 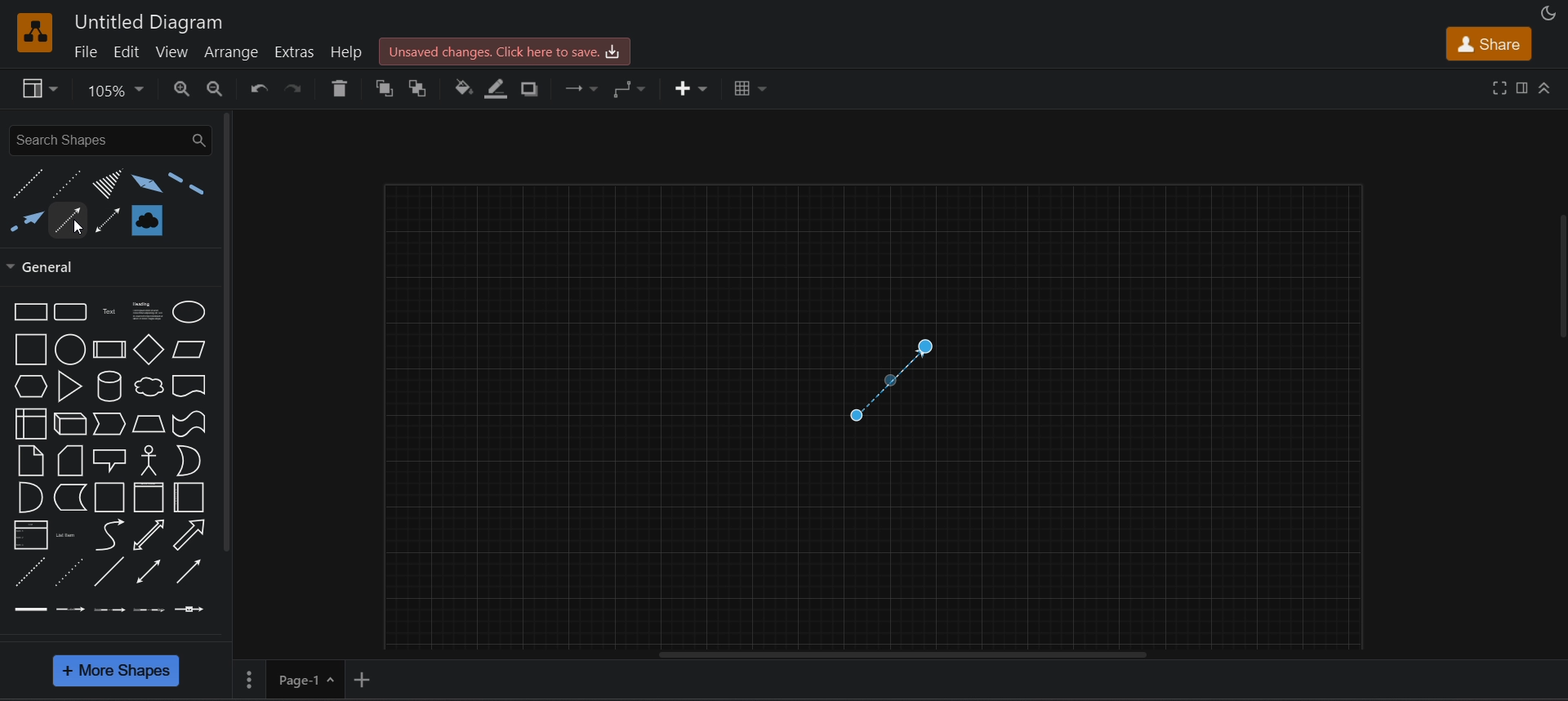 What do you see at coordinates (507, 50) in the screenshot?
I see `unsaved changes - click here to save` at bounding box center [507, 50].